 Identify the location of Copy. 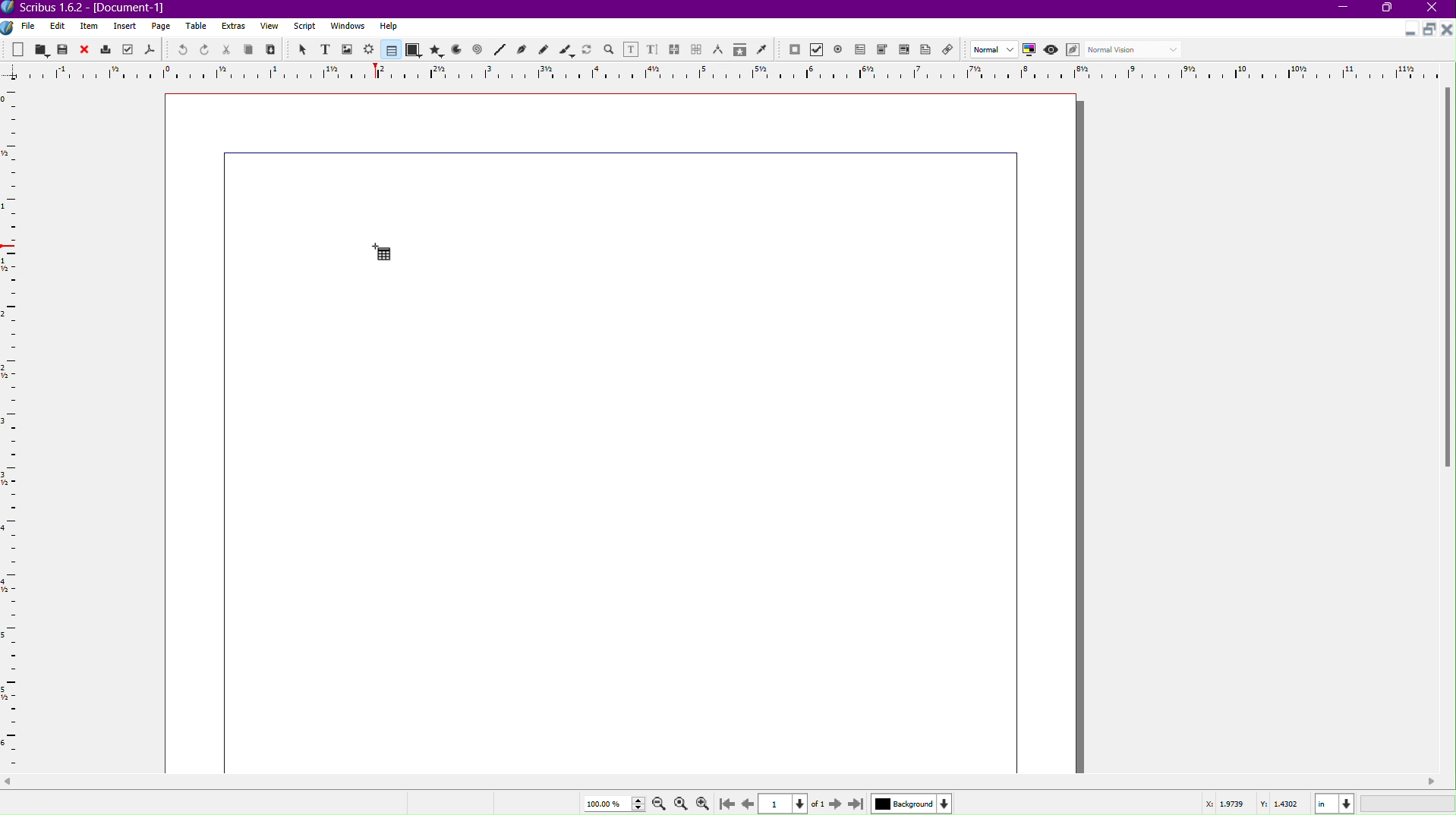
(251, 49).